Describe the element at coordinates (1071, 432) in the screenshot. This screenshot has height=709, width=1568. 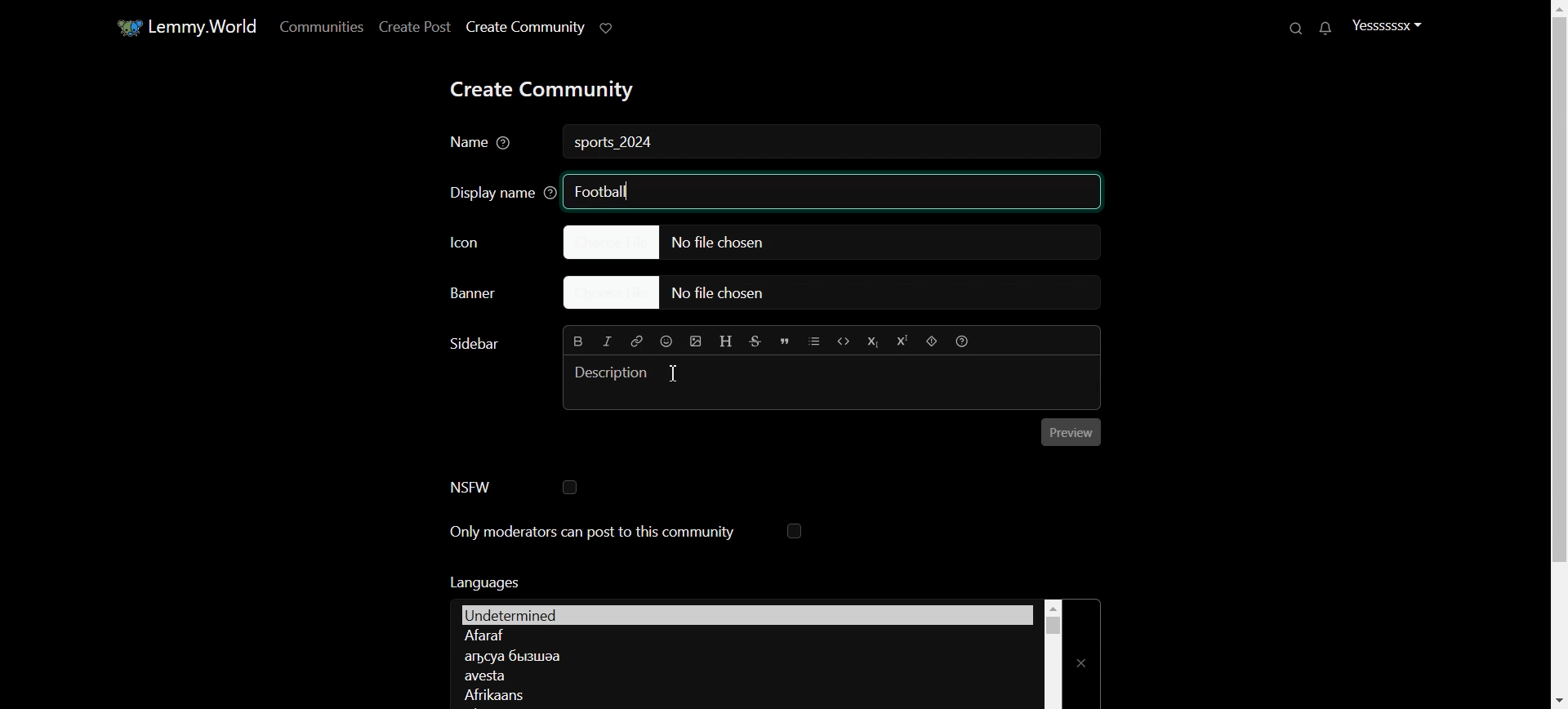
I see `Preview` at that location.